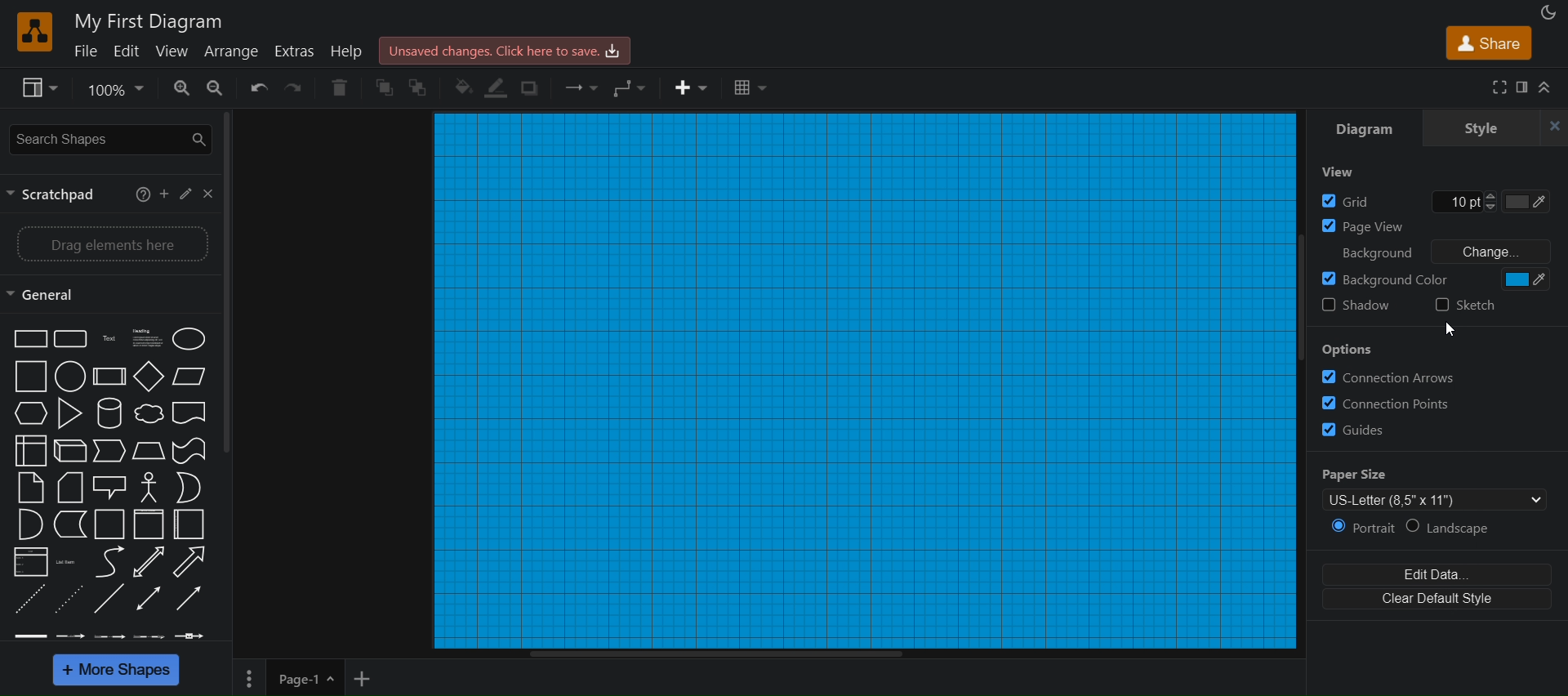 This screenshot has width=1568, height=696. I want to click on table, so click(752, 89).